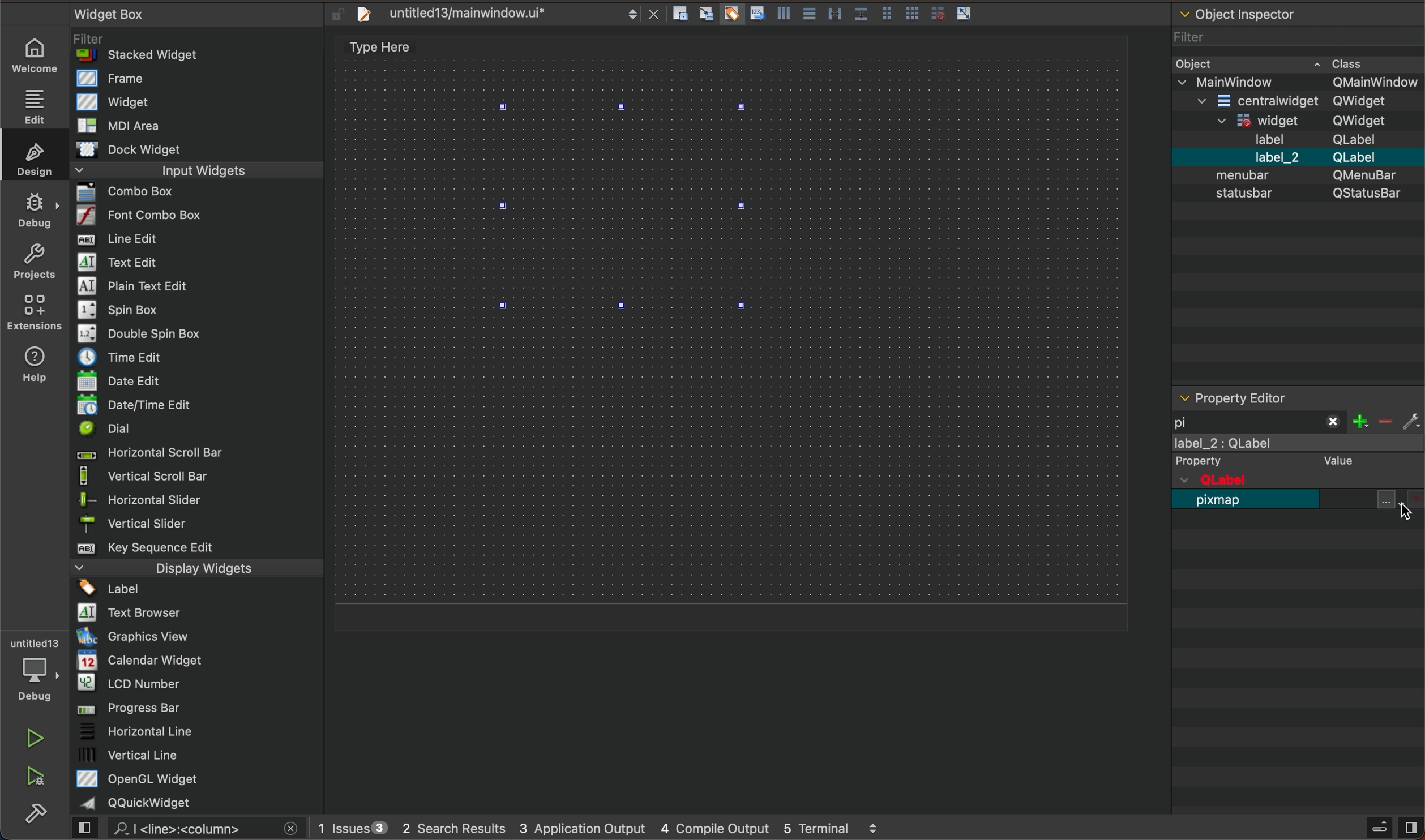 The image size is (1425, 840). I want to click on layout actions, so click(828, 16).